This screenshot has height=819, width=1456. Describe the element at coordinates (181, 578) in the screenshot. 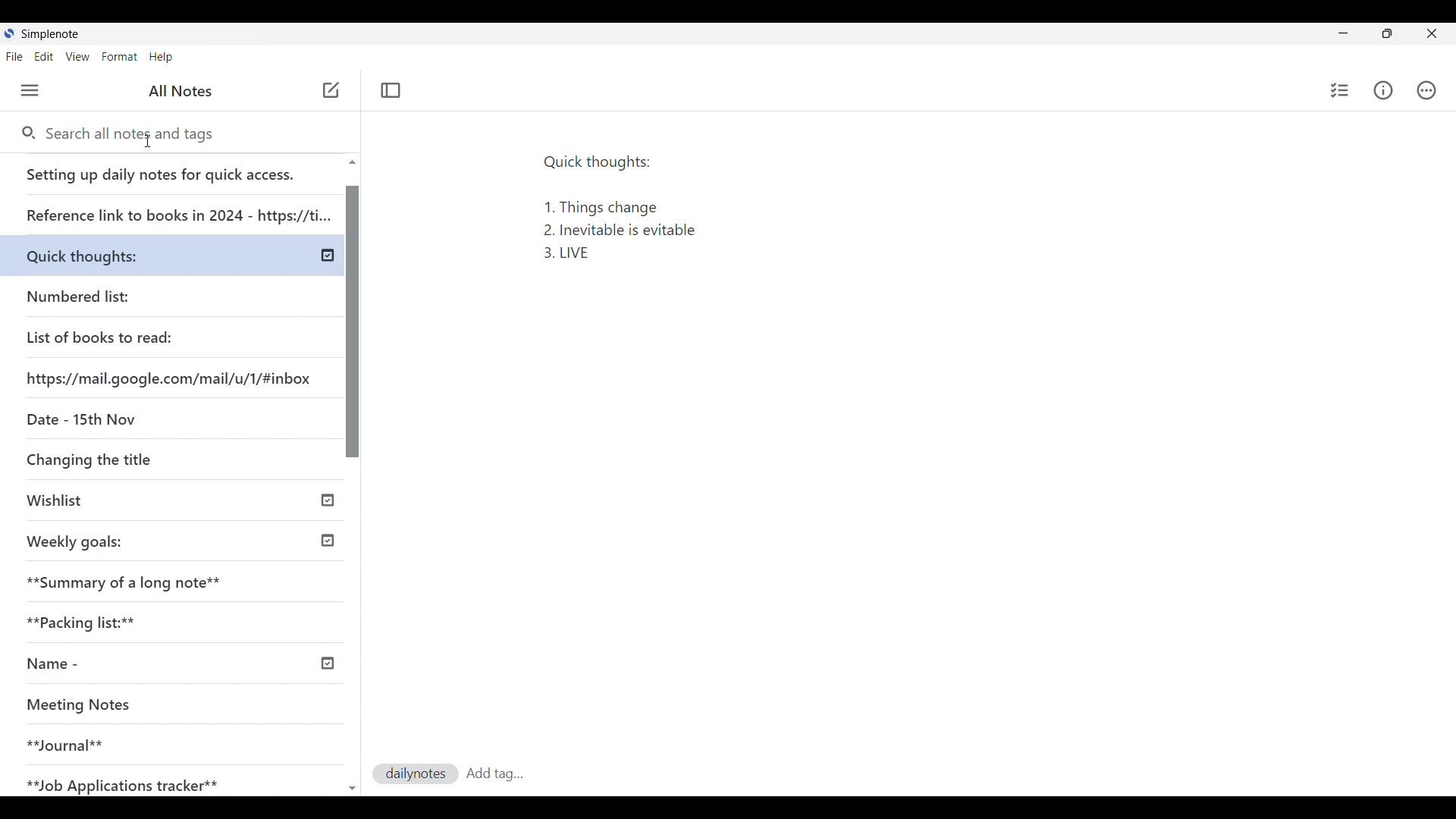

I see `Summary` at that location.